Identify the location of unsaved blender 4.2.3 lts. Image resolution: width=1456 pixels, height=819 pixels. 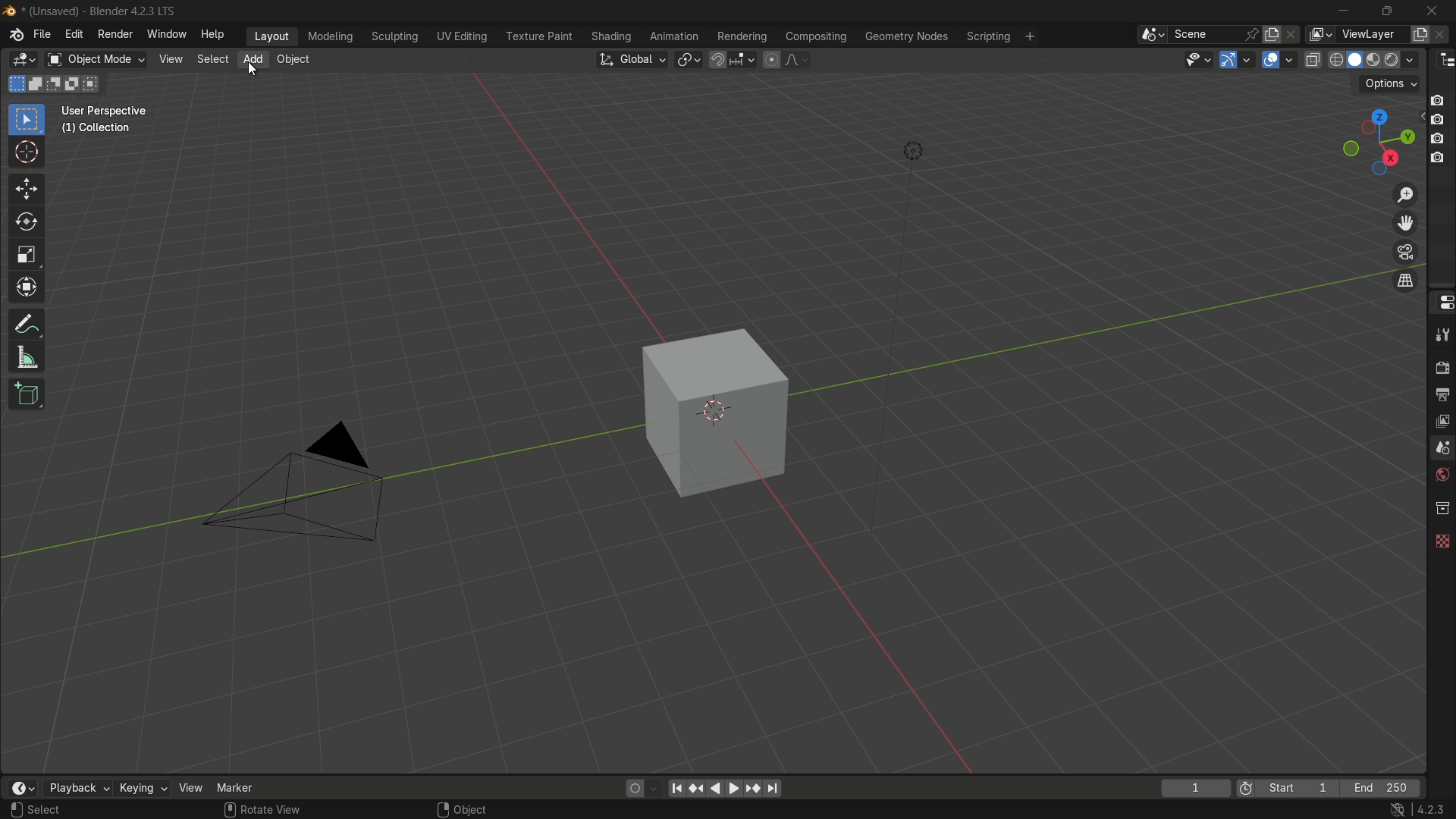
(105, 10).